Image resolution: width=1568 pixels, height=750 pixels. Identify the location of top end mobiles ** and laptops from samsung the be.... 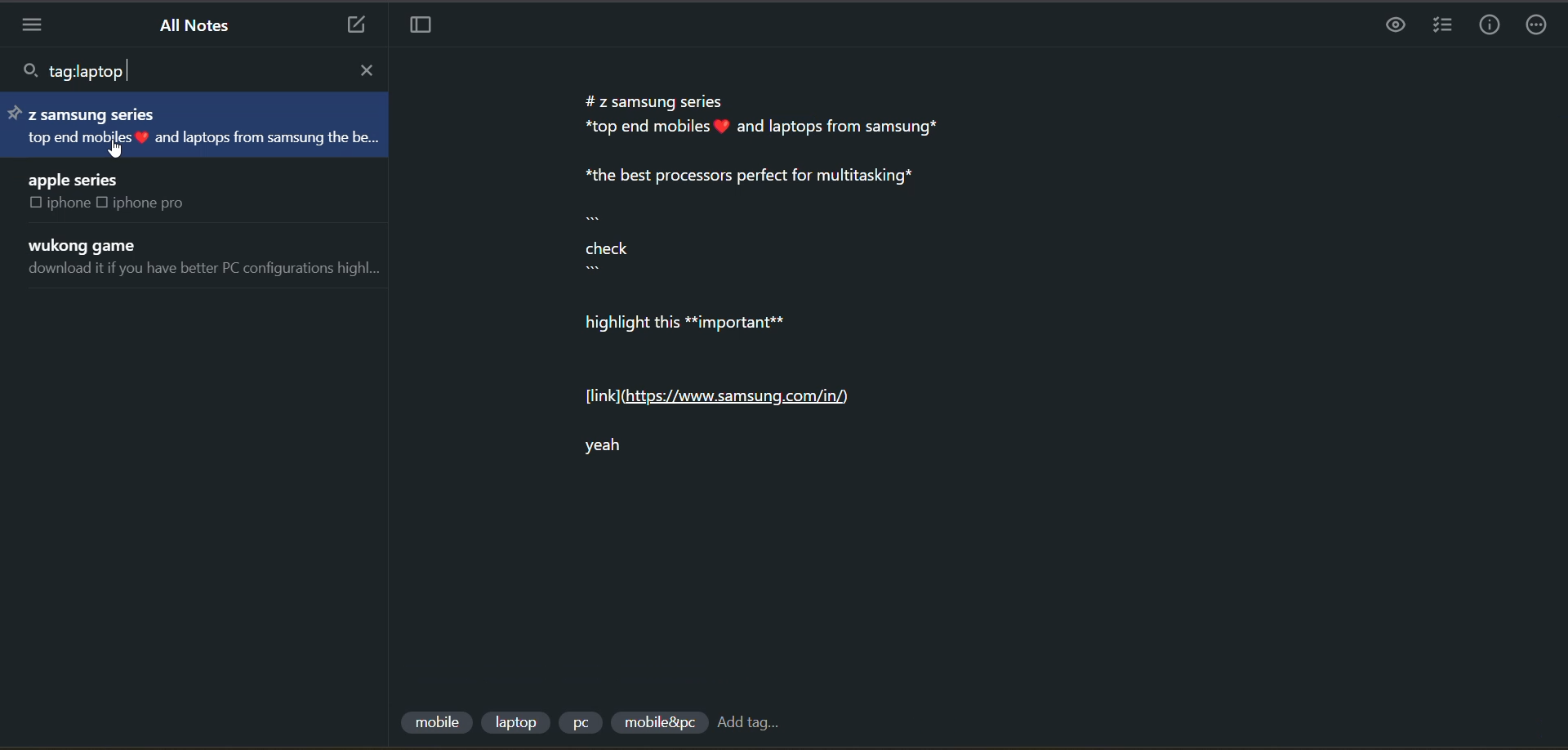
(203, 139).